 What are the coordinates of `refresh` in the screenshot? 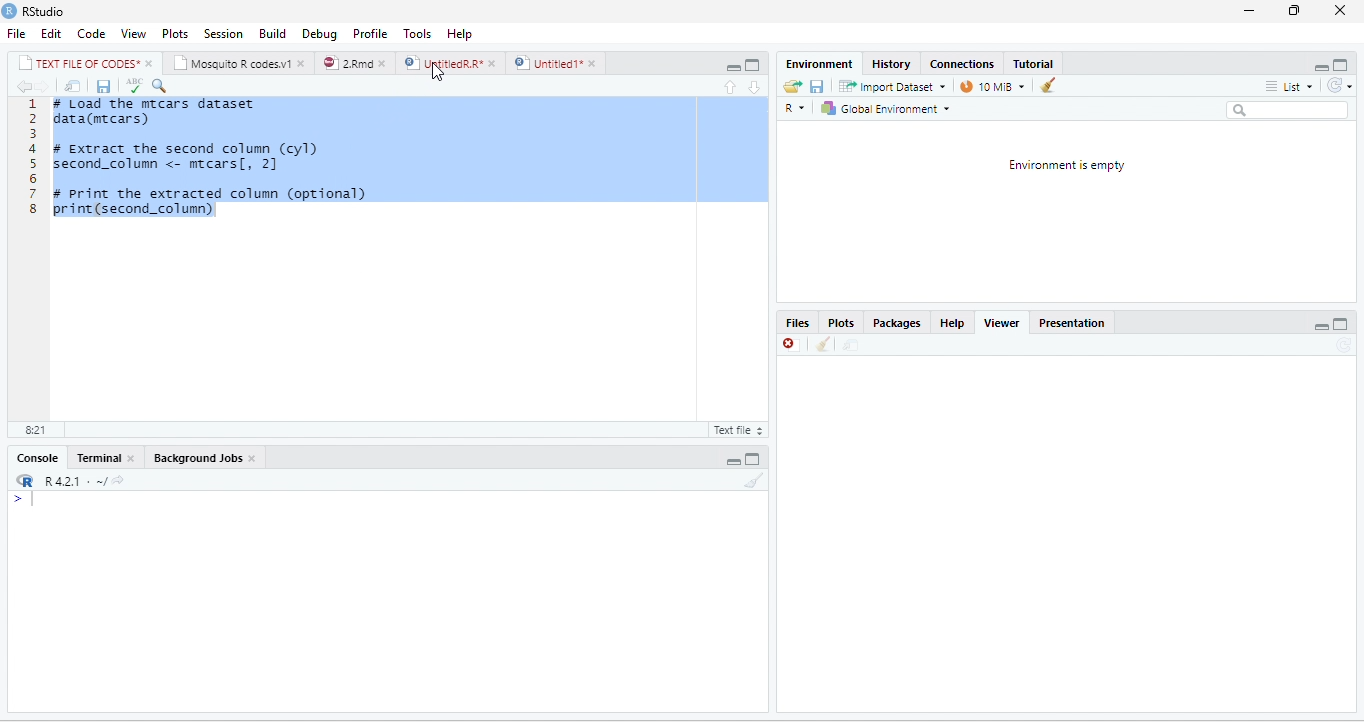 It's located at (1343, 86).